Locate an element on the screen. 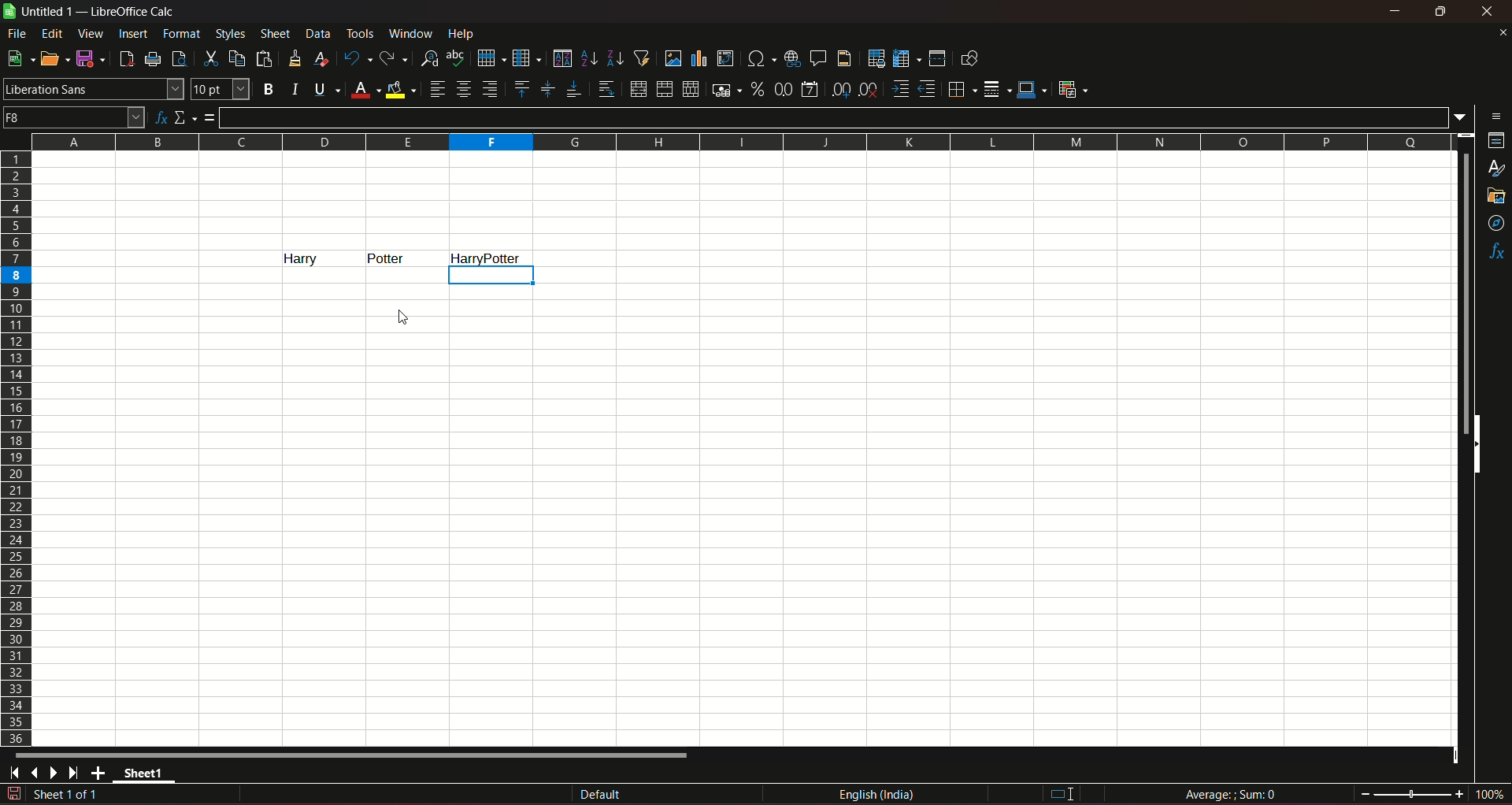  navigator is located at coordinates (1497, 224).